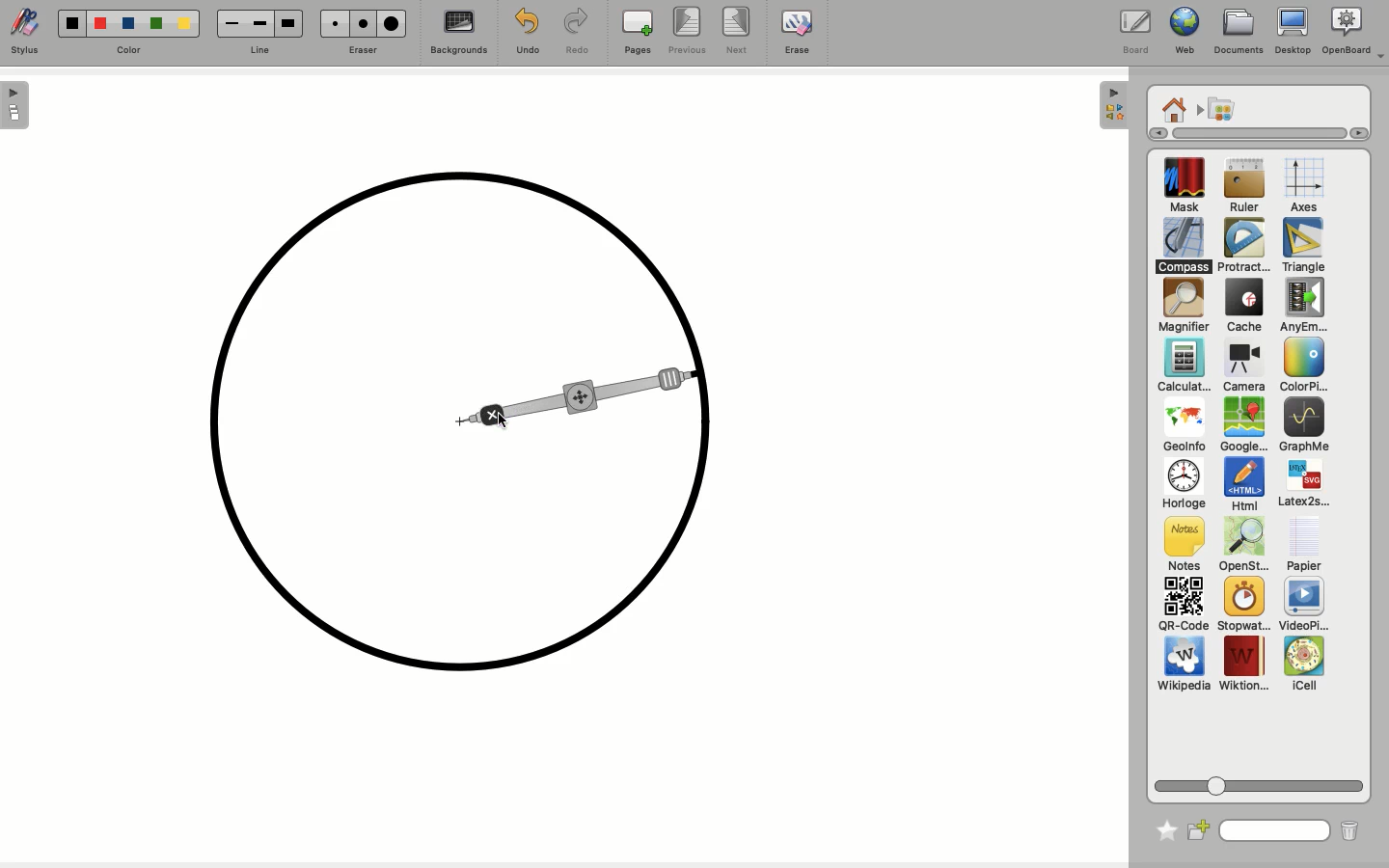 Image resolution: width=1389 pixels, height=868 pixels. Describe the element at coordinates (1305, 665) in the screenshot. I see `iCell` at that location.